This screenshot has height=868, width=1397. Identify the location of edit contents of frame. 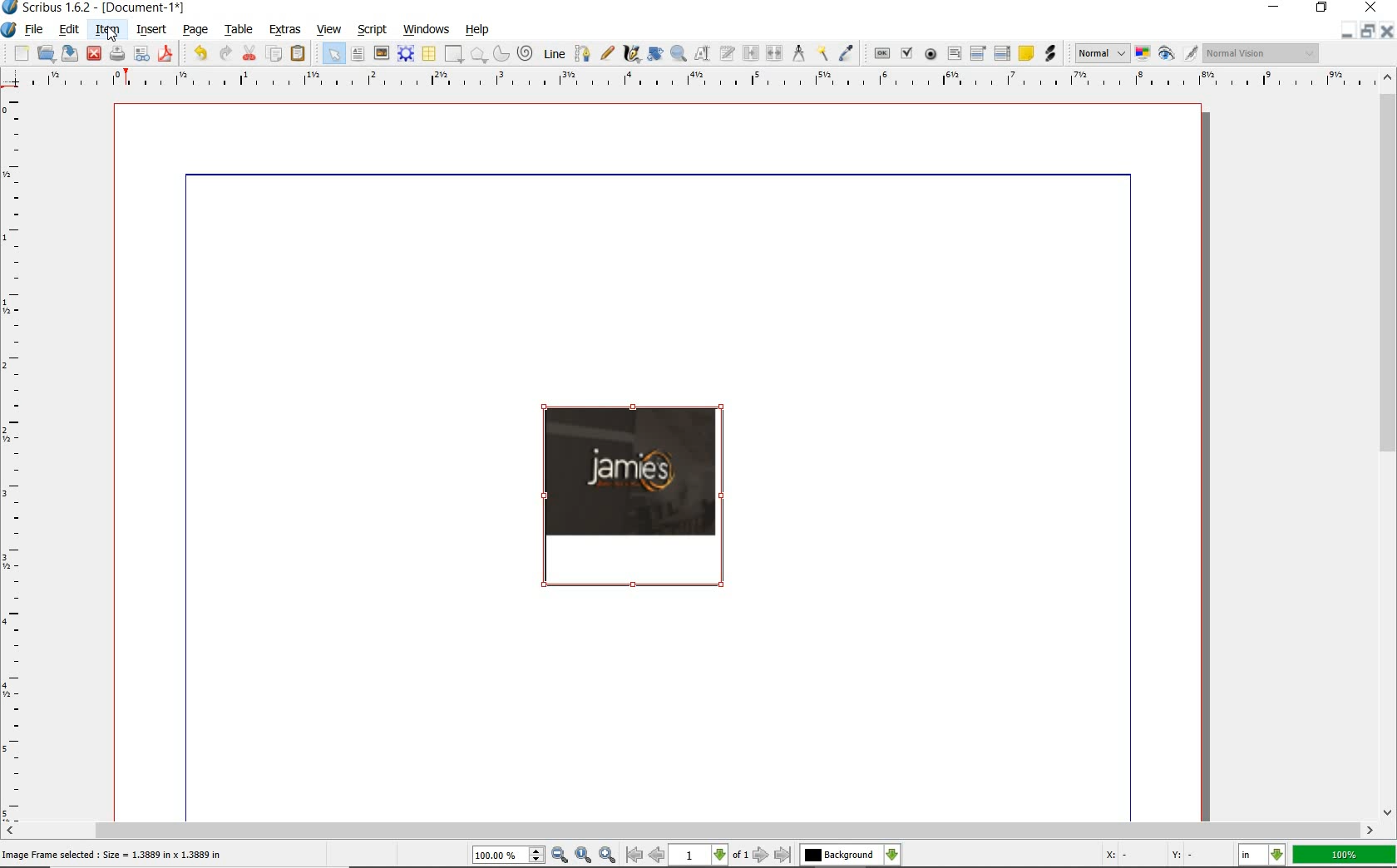
(704, 53).